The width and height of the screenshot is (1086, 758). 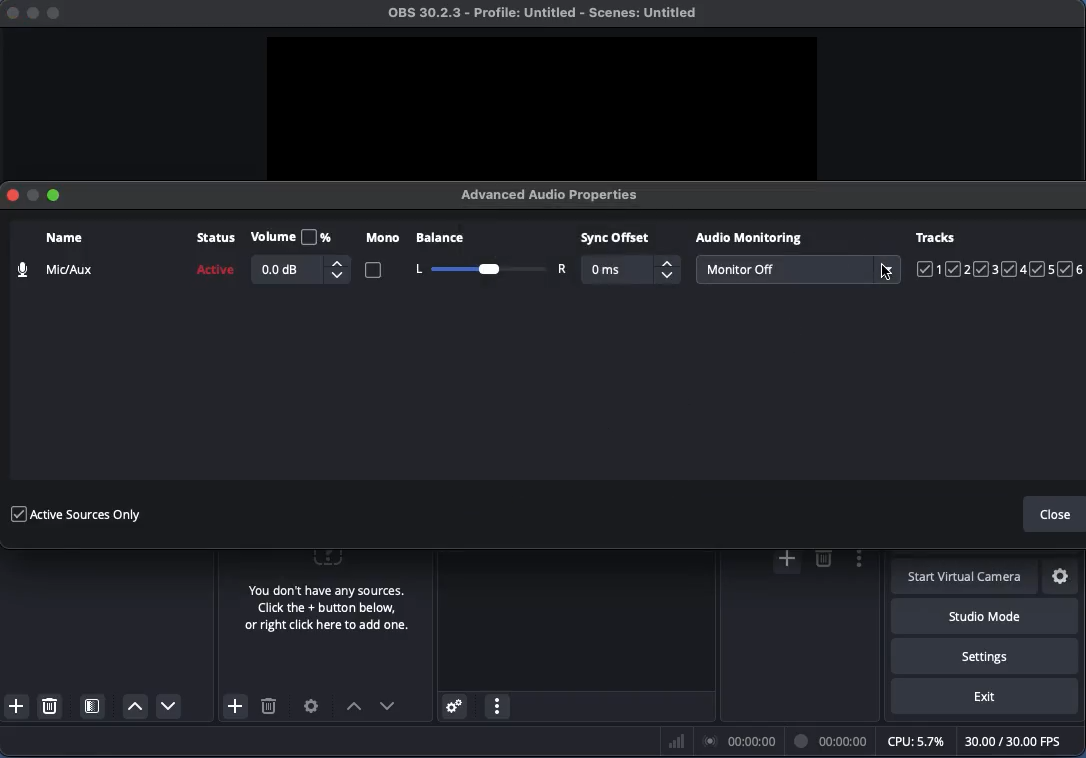 What do you see at coordinates (233, 706) in the screenshot?
I see `Add source` at bounding box center [233, 706].